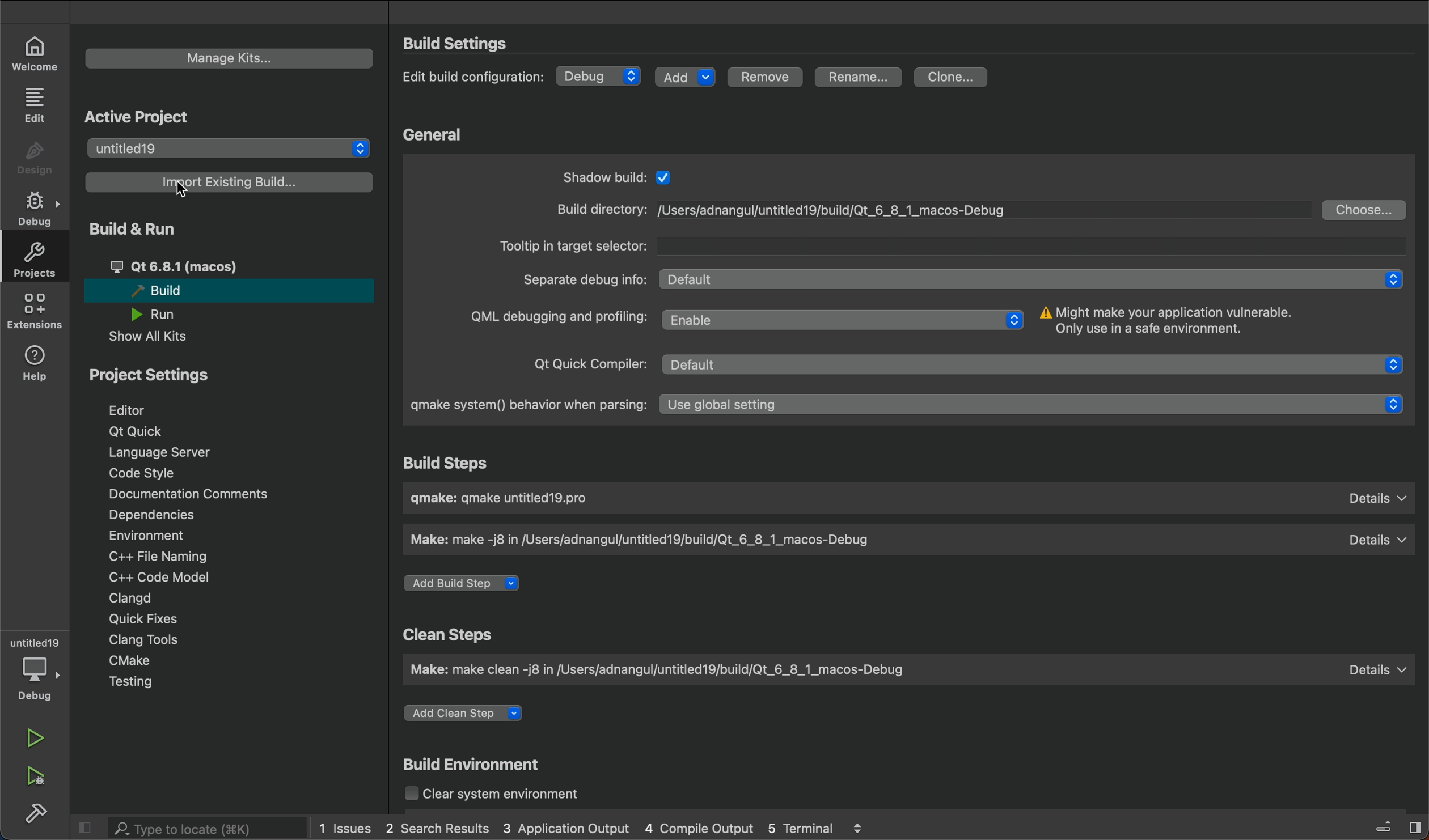 This screenshot has width=1429, height=840. What do you see at coordinates (147, 473) in the screenshot?
I see `code style` at bounding box center [147, 473].